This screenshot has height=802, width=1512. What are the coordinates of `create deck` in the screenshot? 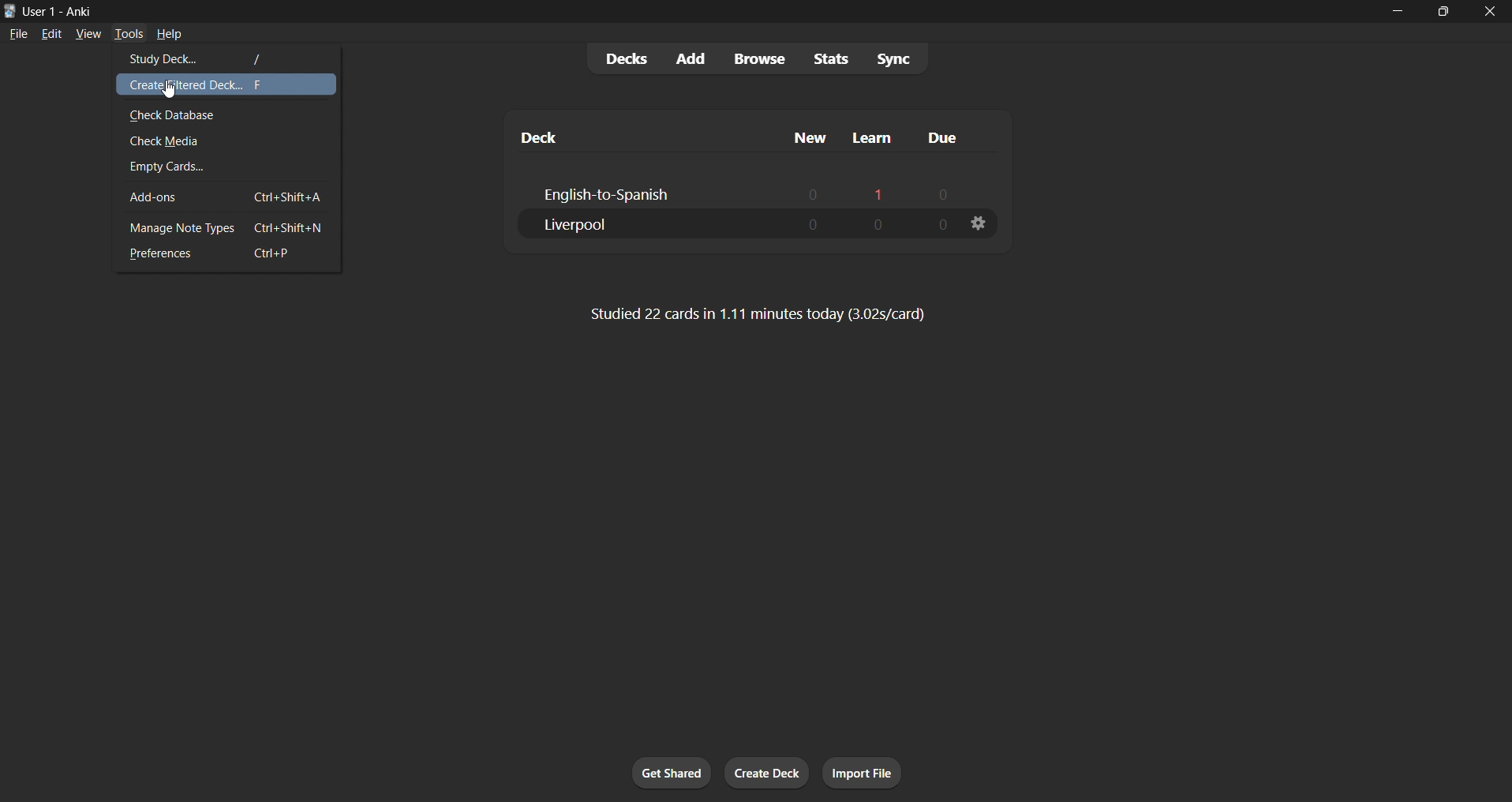 It's located at (764, 776).